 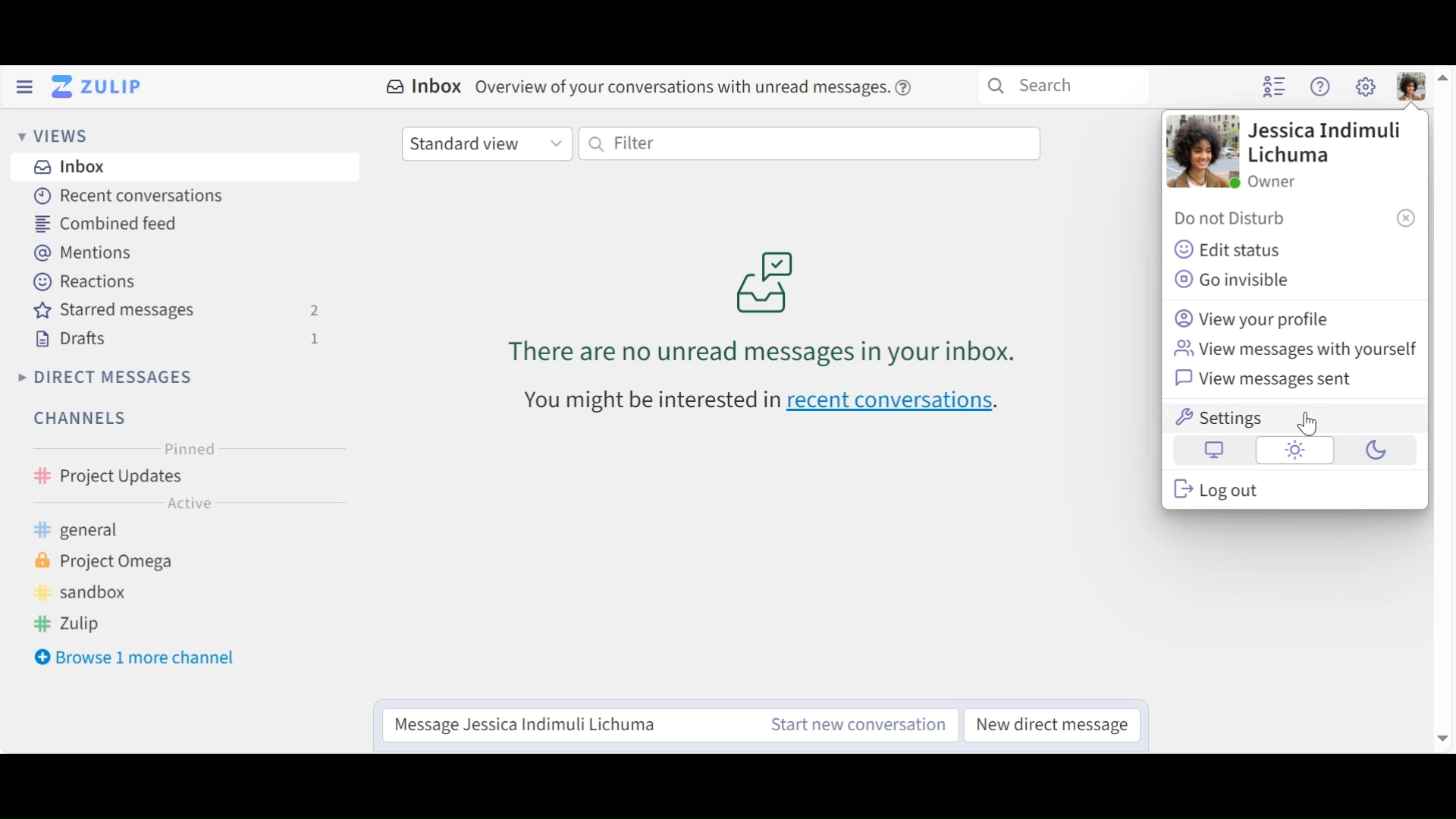 What do you see at coordinates (194, 168) in the screenshot?
I see `Inbox` at bounding box center [194, 168].